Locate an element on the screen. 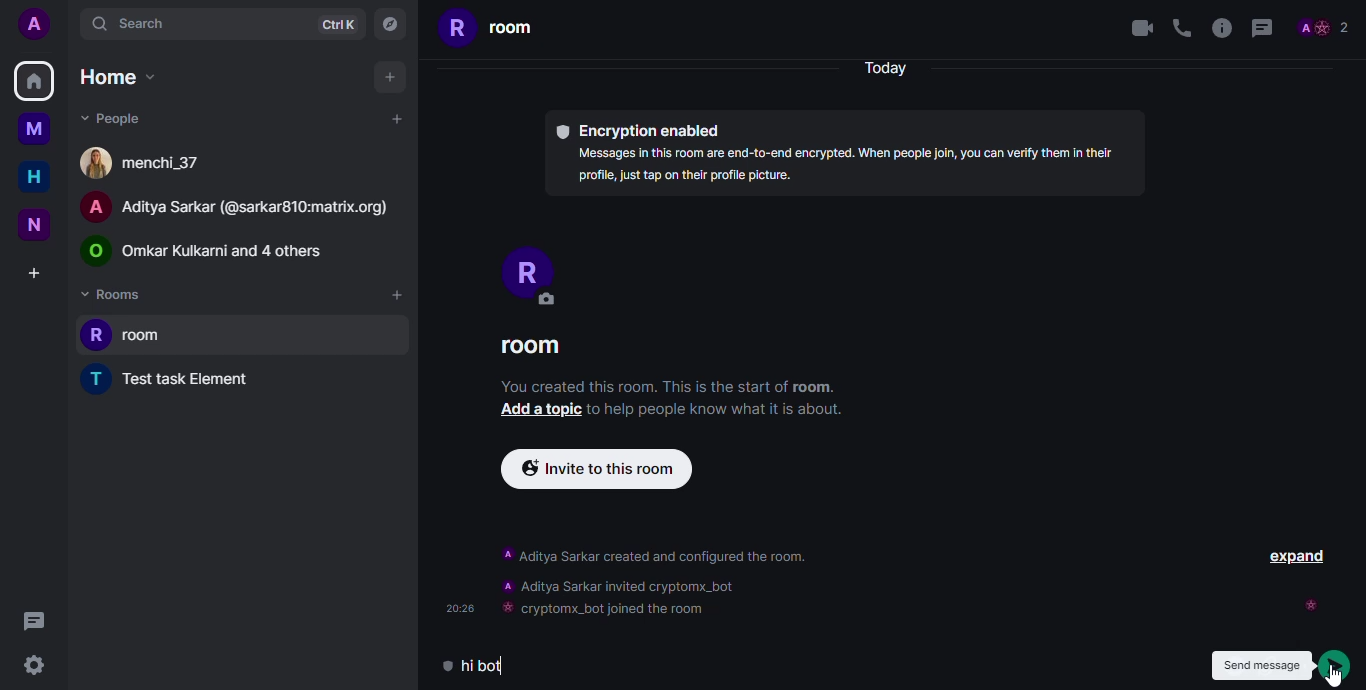  Profile is located at coordinates (1327, 25).